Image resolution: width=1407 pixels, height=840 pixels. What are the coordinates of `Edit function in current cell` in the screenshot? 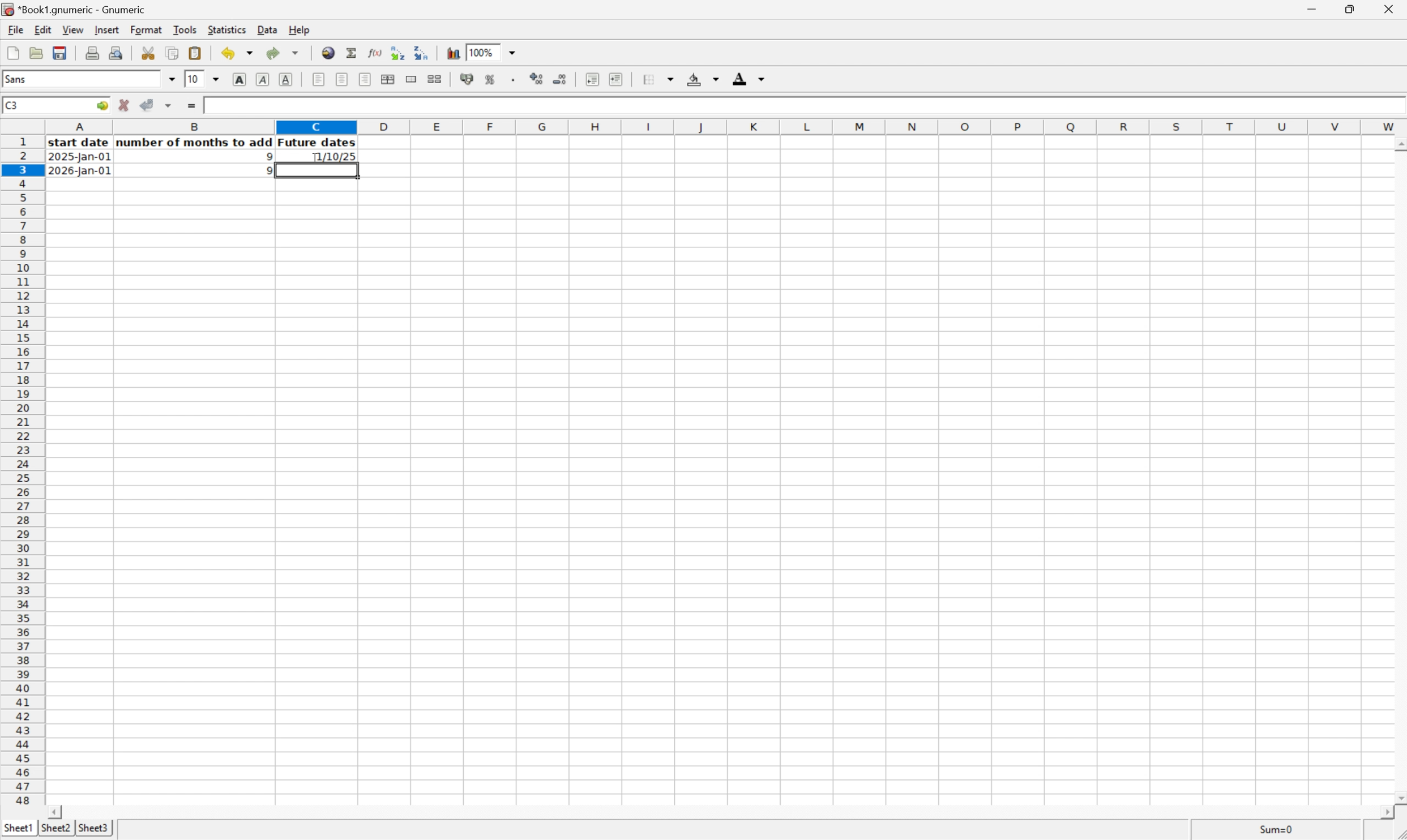 It's located at (372, 52).